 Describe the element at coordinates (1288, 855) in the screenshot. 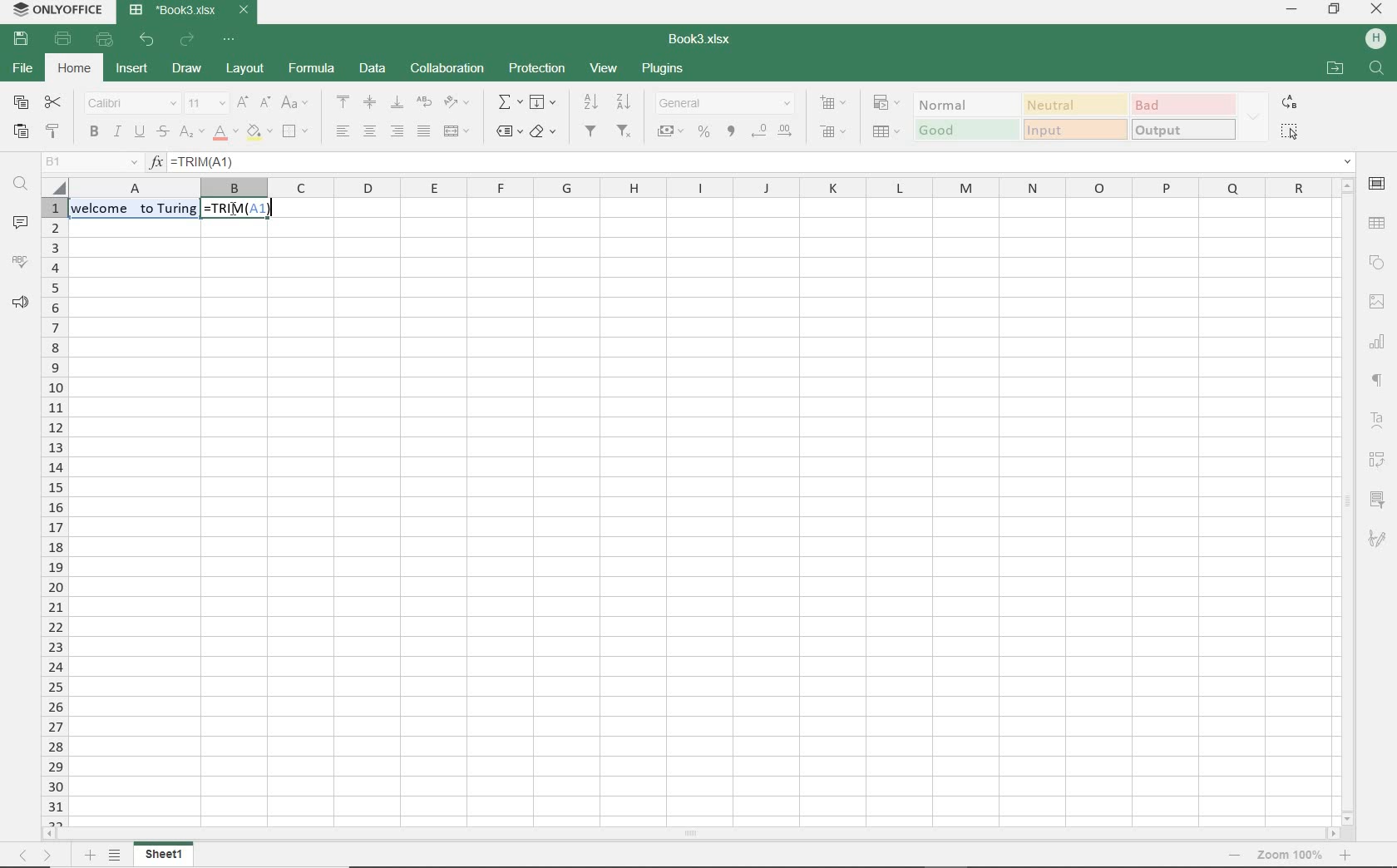

I see `zoom out` at that location.